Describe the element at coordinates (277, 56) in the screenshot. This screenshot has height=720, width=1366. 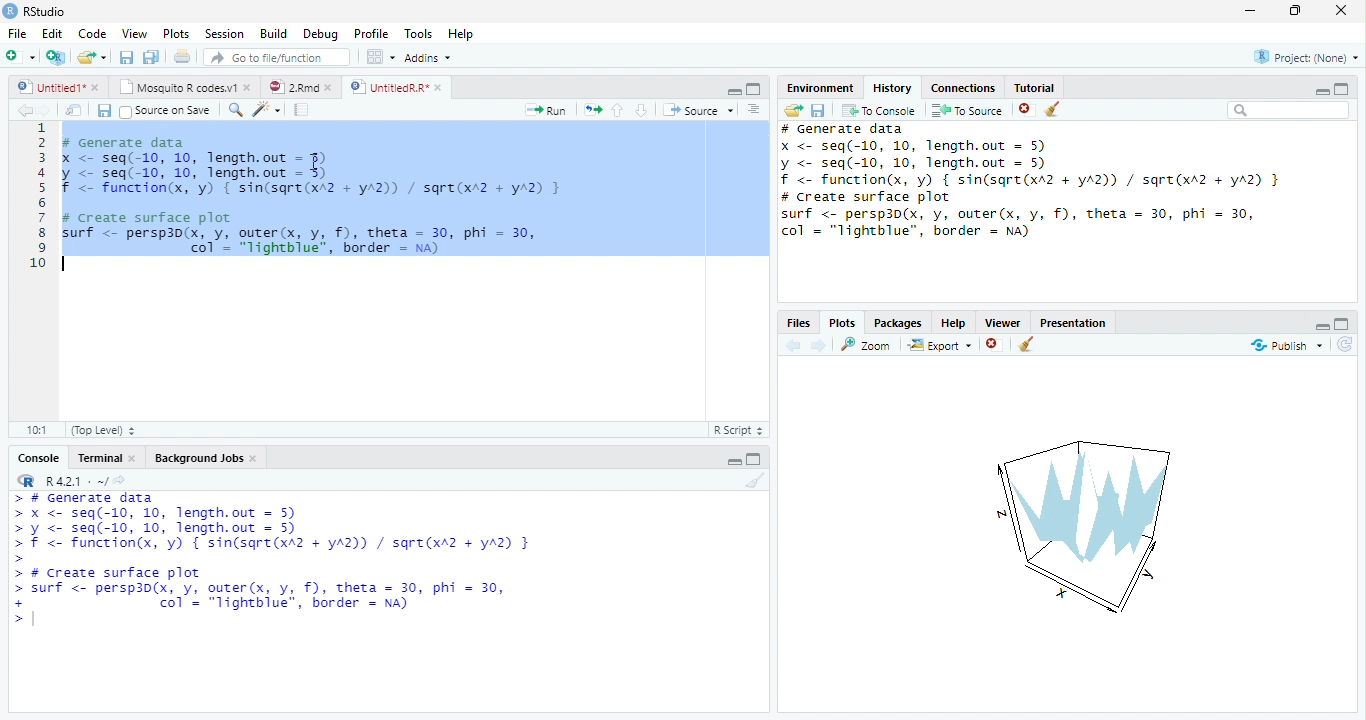
I see `Go to file/function` at that location.